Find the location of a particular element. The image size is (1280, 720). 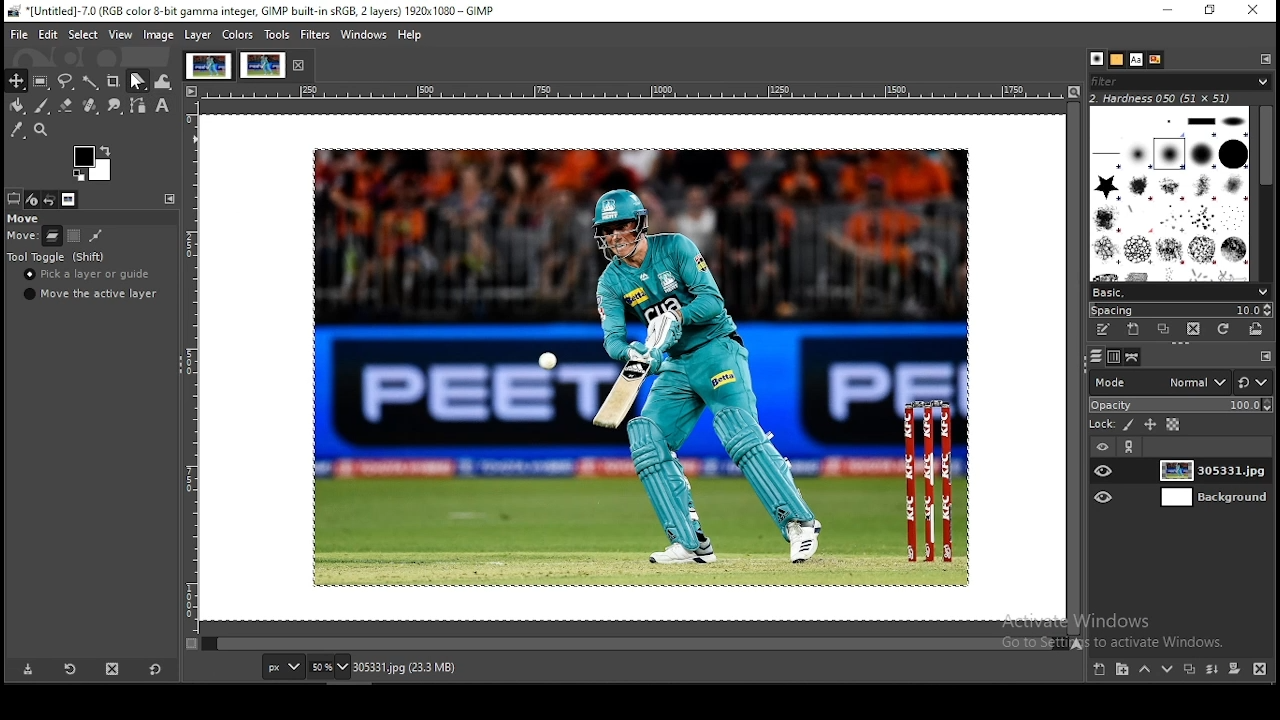

smudge tools is located at coordinates (113, 105).